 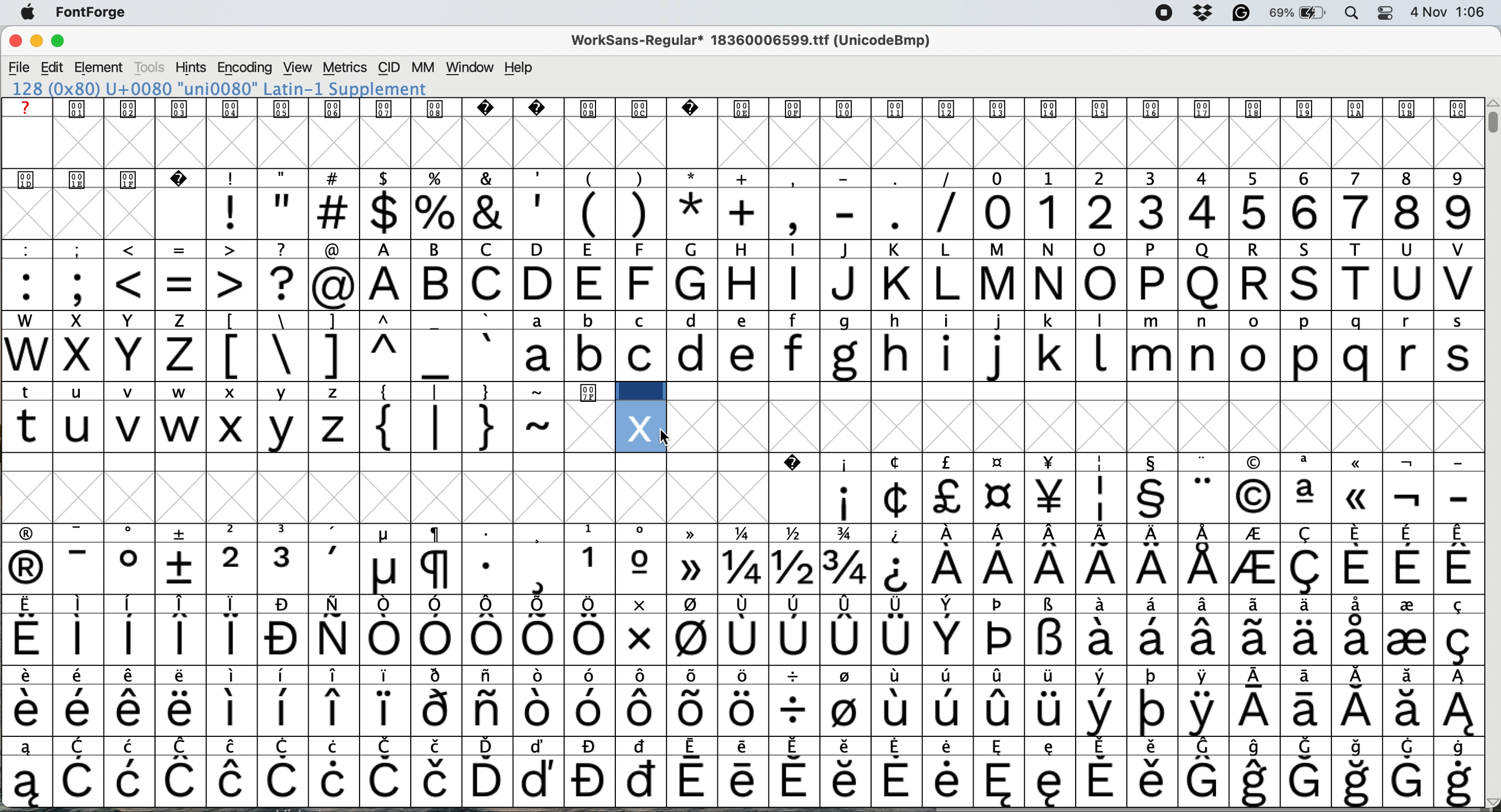 What do you see at coordinates (429, 495) in the screenshot?
I see `glyph grid` at bounding box center [429, 495].